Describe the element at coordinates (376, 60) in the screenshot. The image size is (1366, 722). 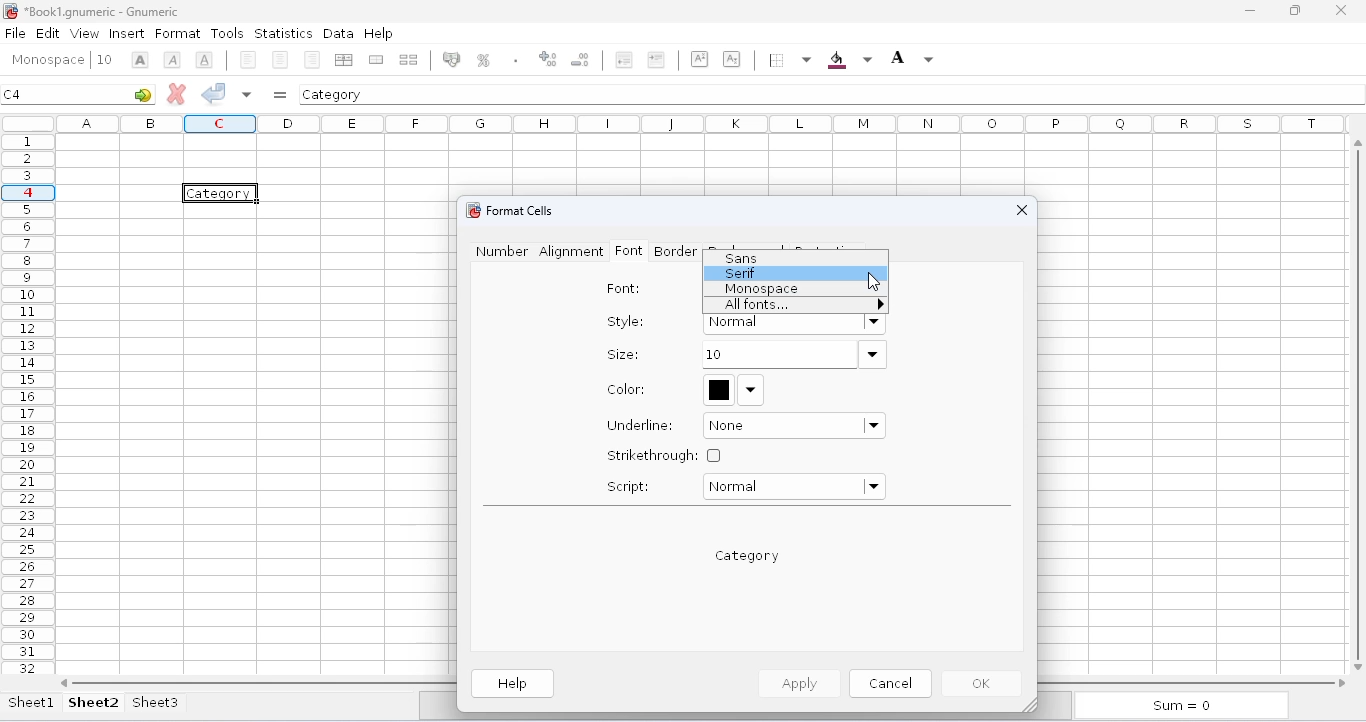
I see `merge a range of cells` at that location.